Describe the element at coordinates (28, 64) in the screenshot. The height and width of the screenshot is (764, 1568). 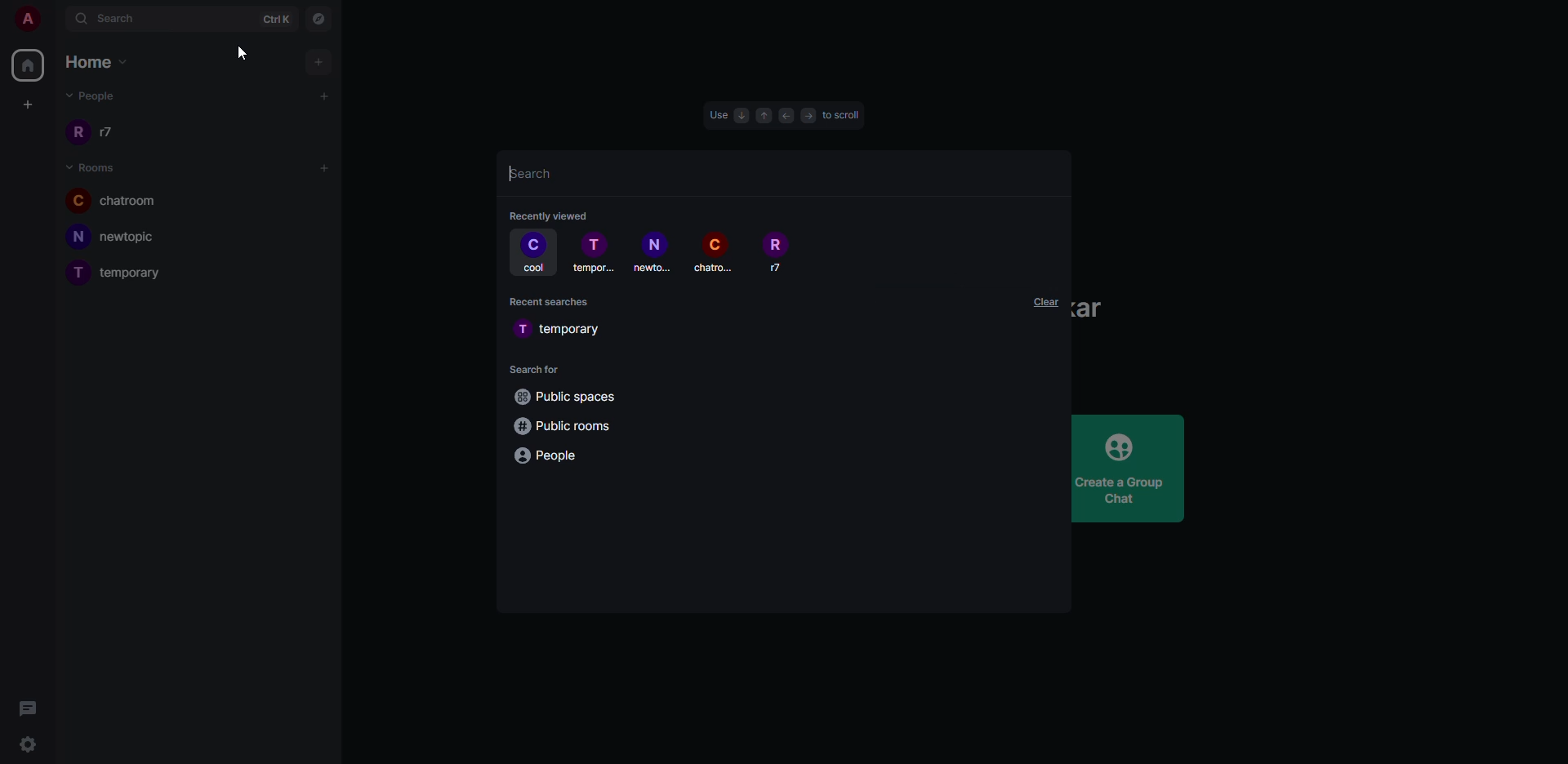
I see `home` at that location.